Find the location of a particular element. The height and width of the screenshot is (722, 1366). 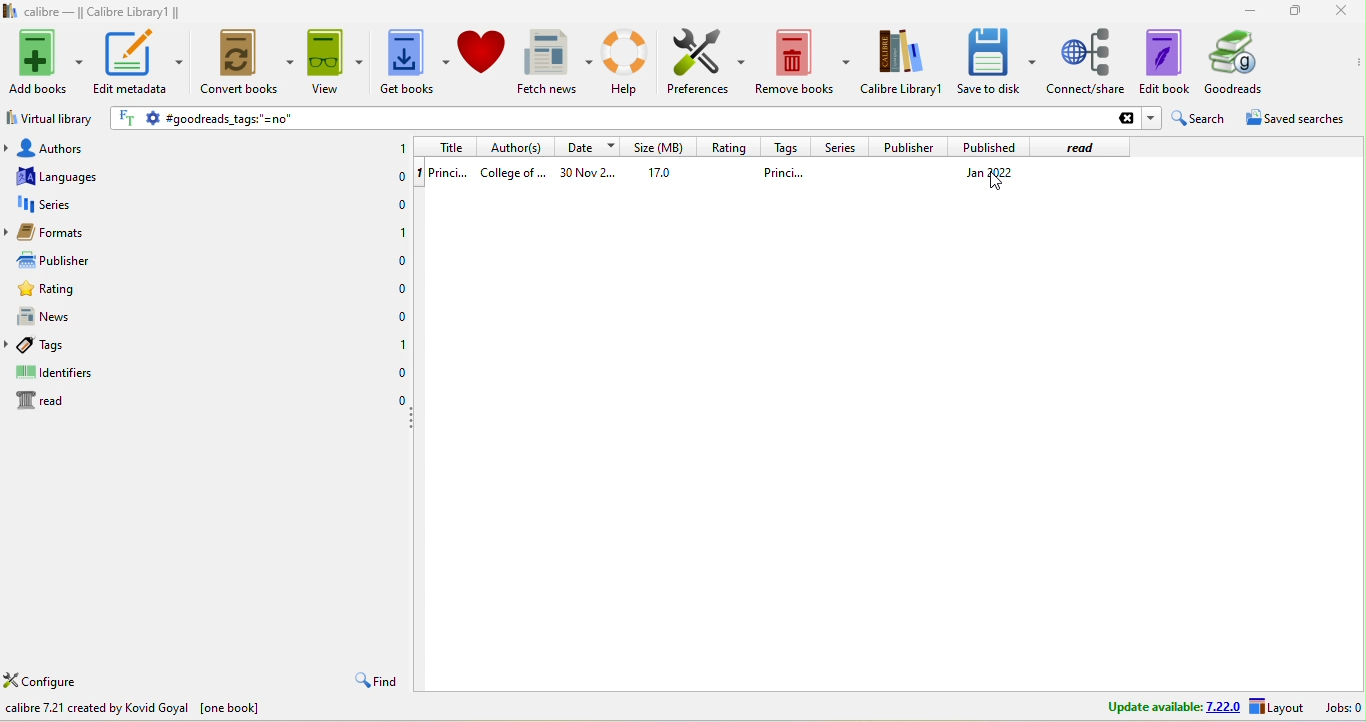

save to disk is located at coordinates (996, 62).